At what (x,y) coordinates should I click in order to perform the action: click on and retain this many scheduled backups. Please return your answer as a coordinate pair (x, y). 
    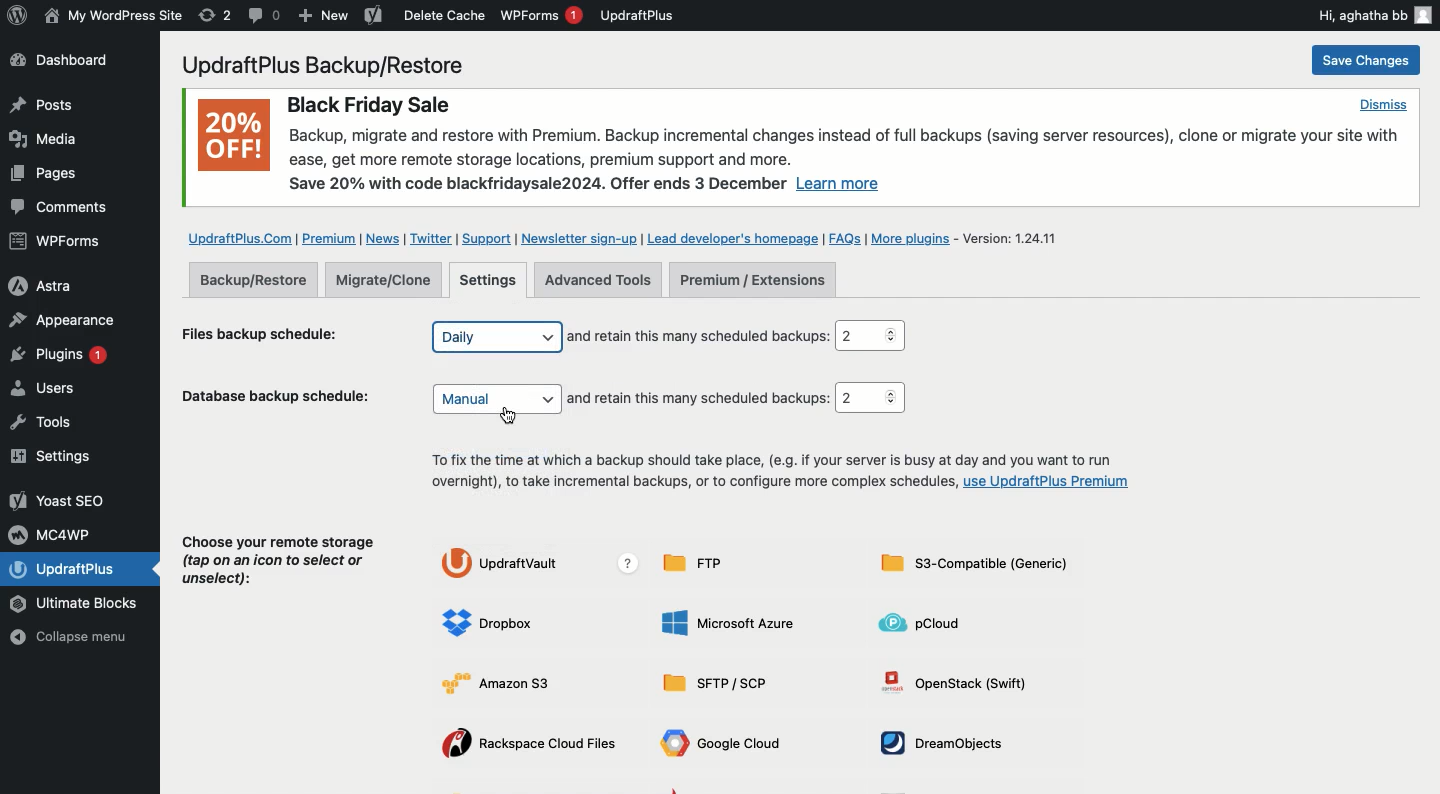
    Looking at the image, I should click on (698, 336).